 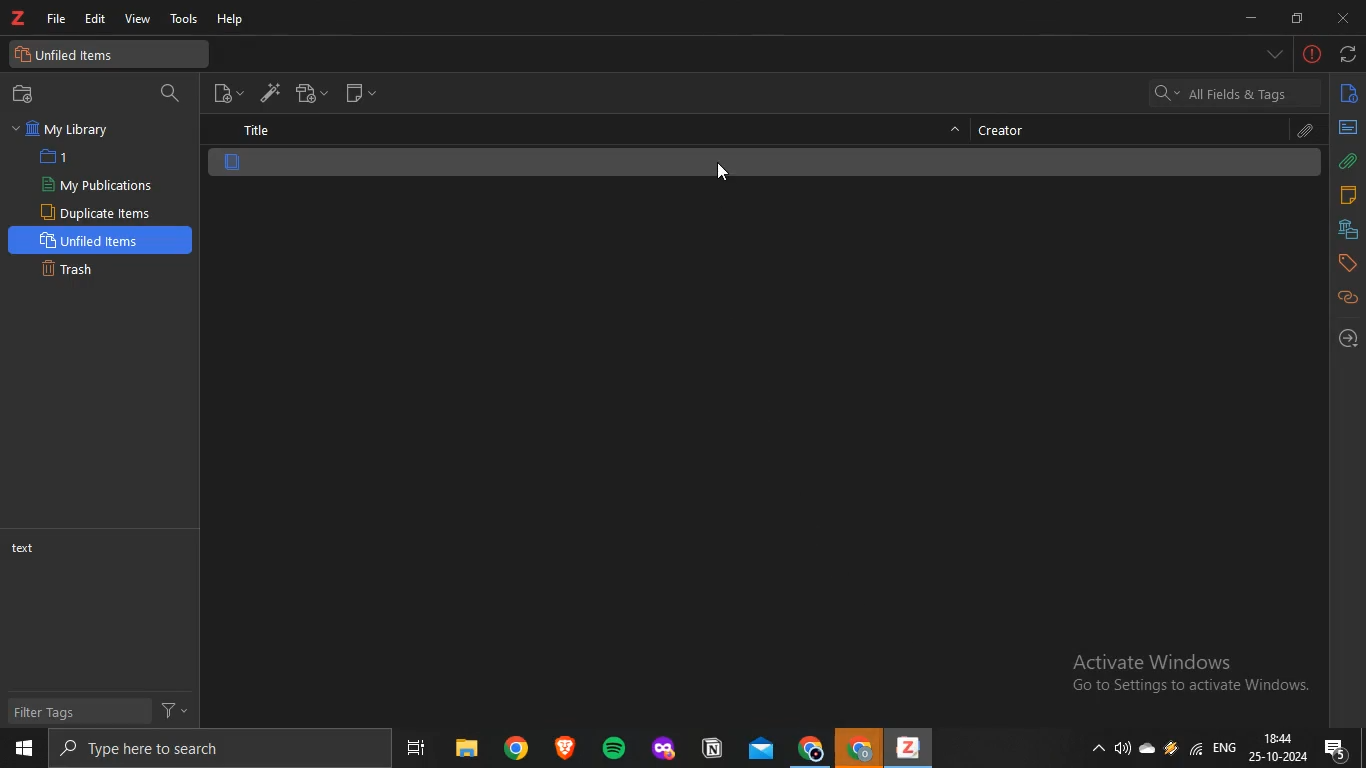 I want to click on my publications, so click(x=95, y=183).